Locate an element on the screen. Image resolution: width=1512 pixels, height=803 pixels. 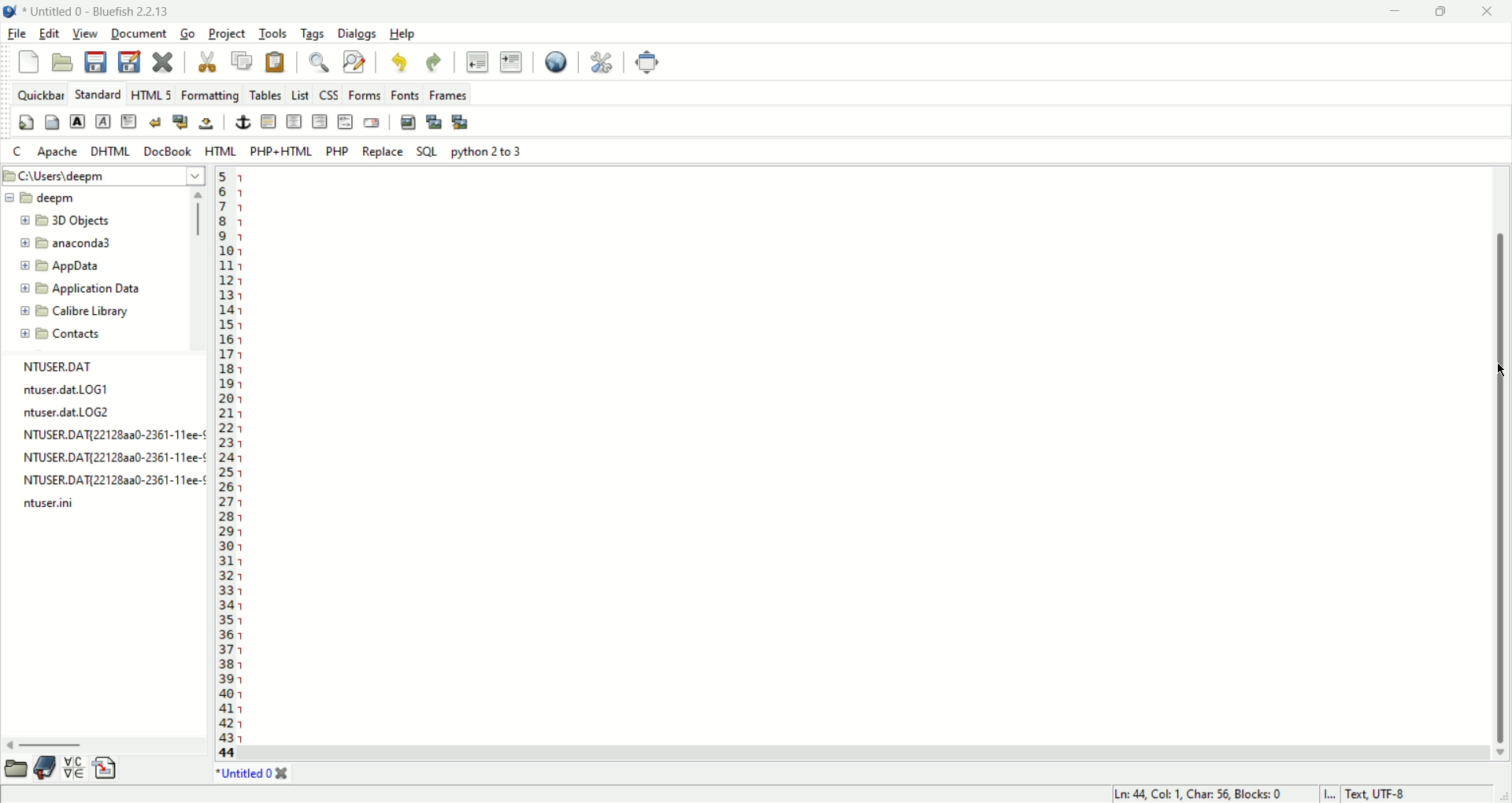
save is located at coordinates (98, 61).